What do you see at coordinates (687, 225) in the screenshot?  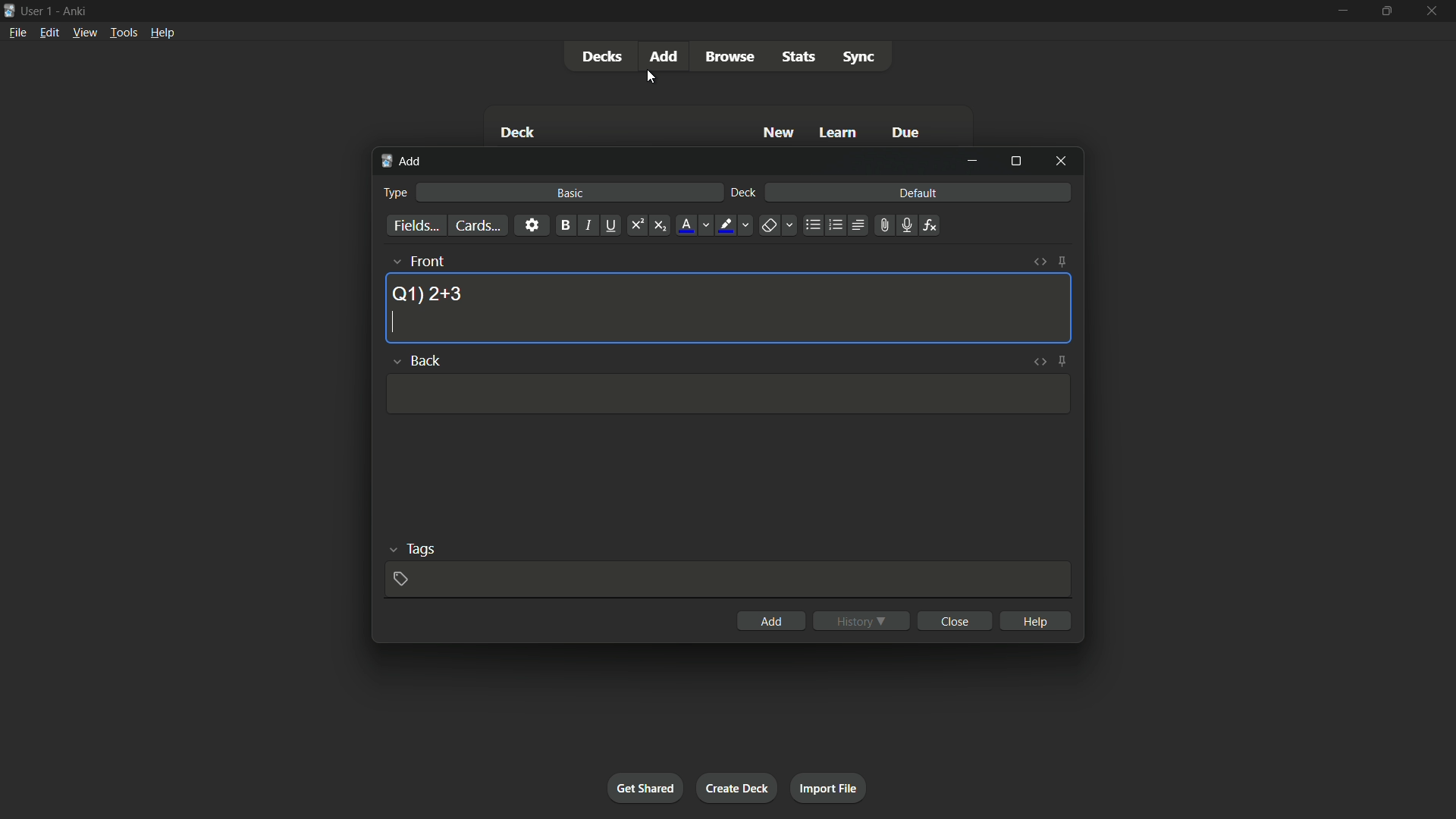 I see `font color` at bounding box center [687, 225].